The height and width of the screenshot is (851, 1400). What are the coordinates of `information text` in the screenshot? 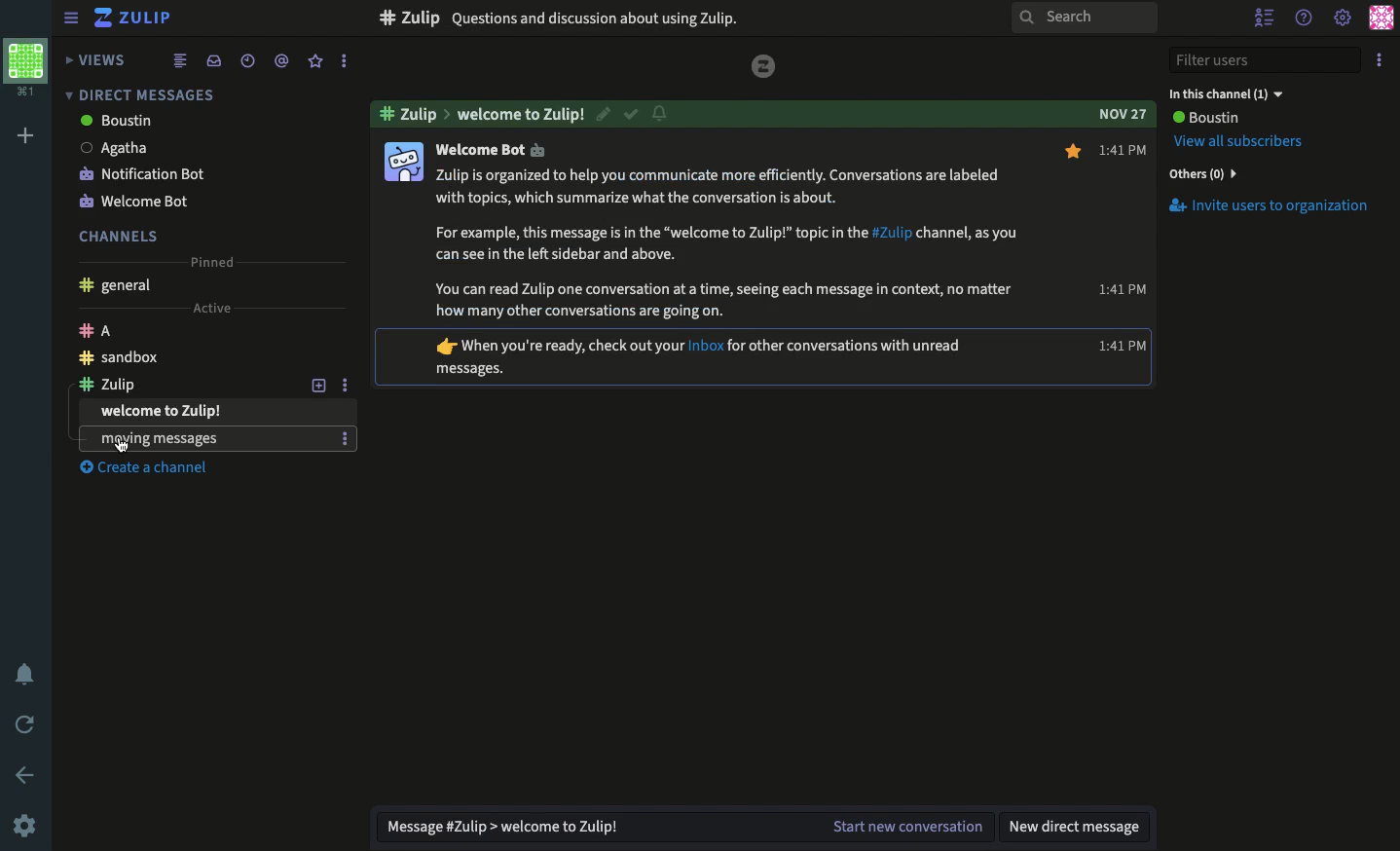 It's located at (724, 244).